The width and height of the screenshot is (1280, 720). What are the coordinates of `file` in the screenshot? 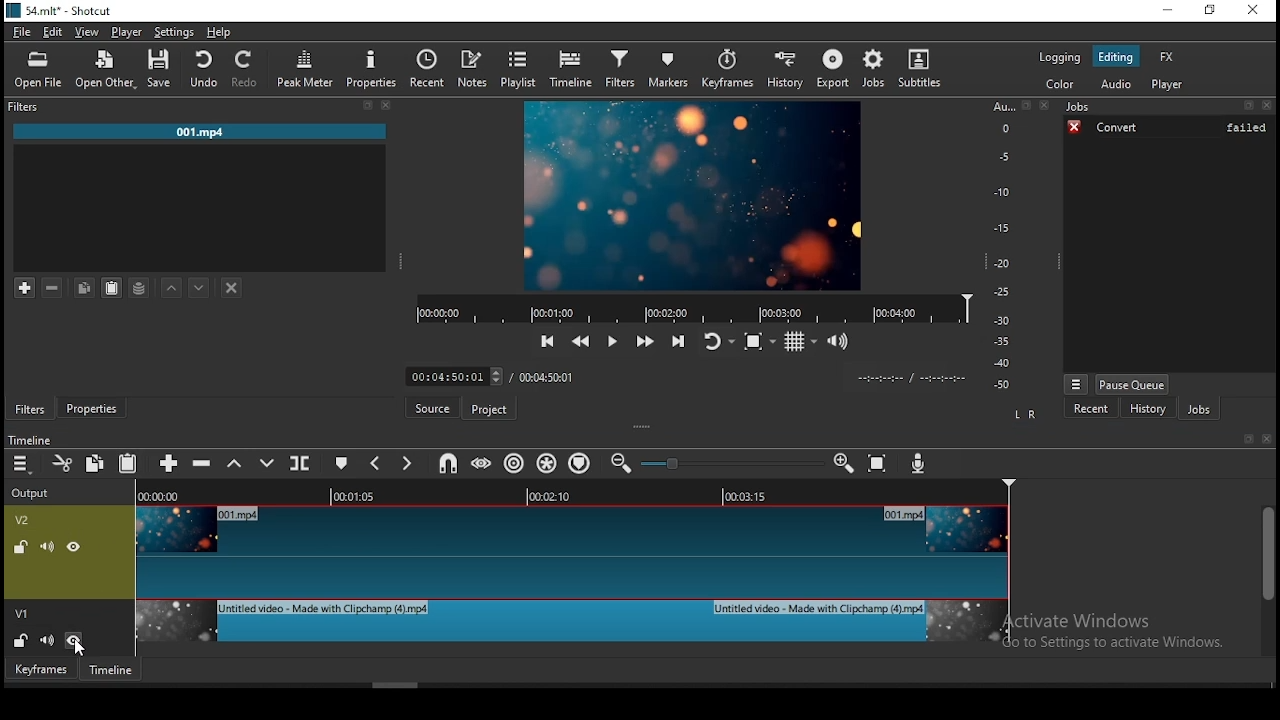 It's located at (23, 32).